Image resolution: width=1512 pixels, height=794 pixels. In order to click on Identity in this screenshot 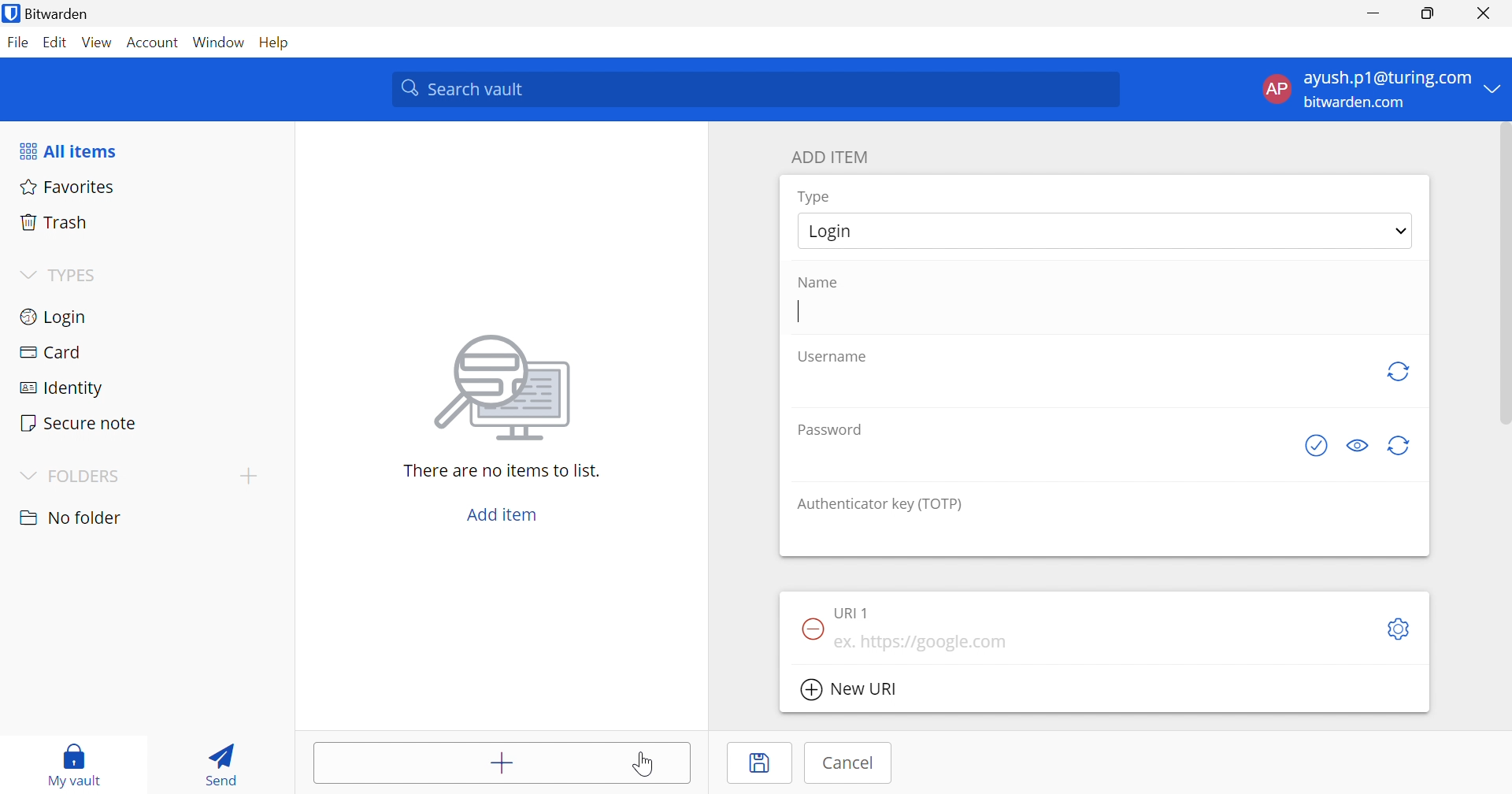, I will do `click(56, 390)`.